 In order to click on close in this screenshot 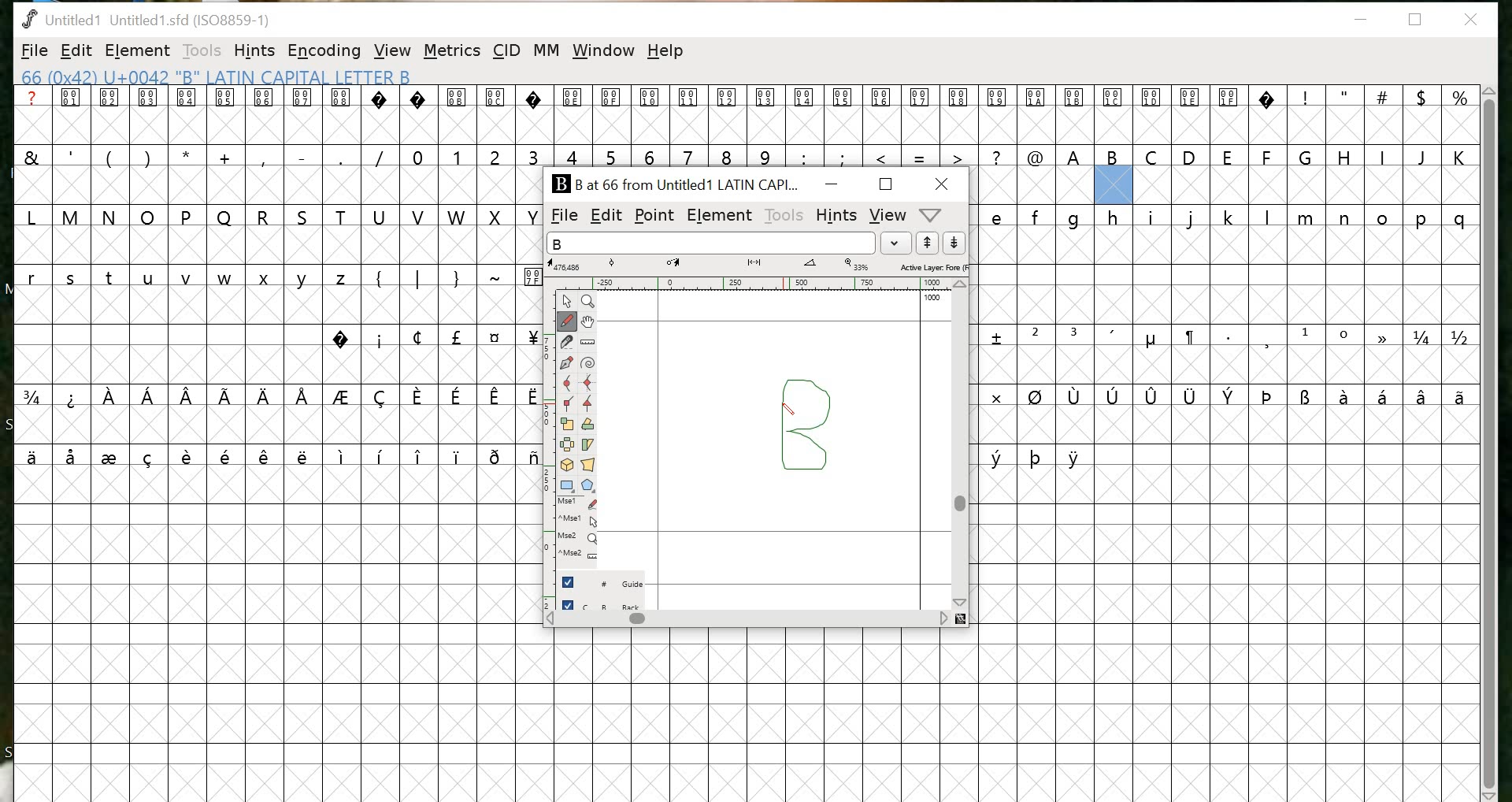, I will do `click(1473, 20)`.